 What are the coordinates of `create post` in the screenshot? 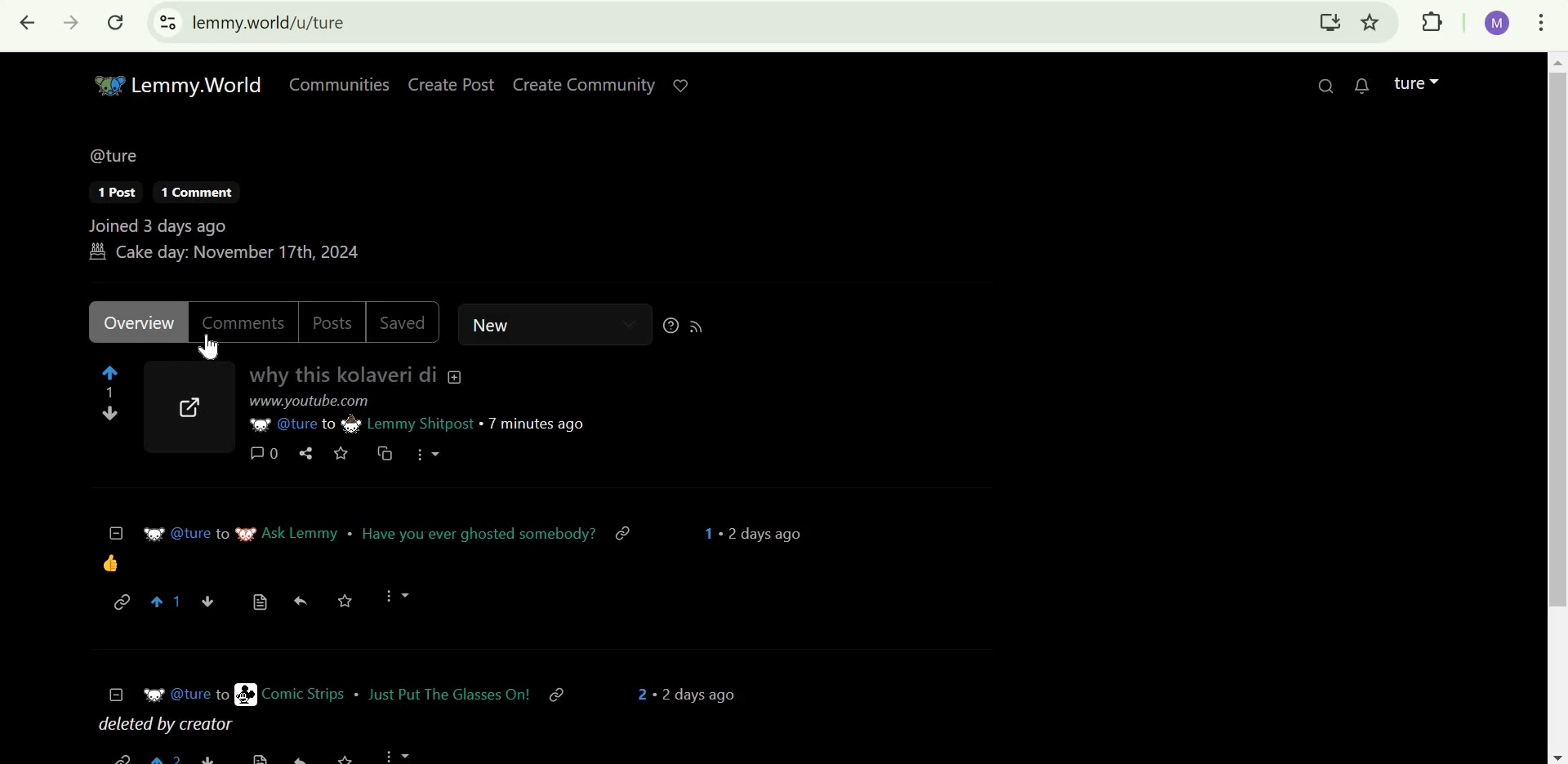 It's located at (454, 84).